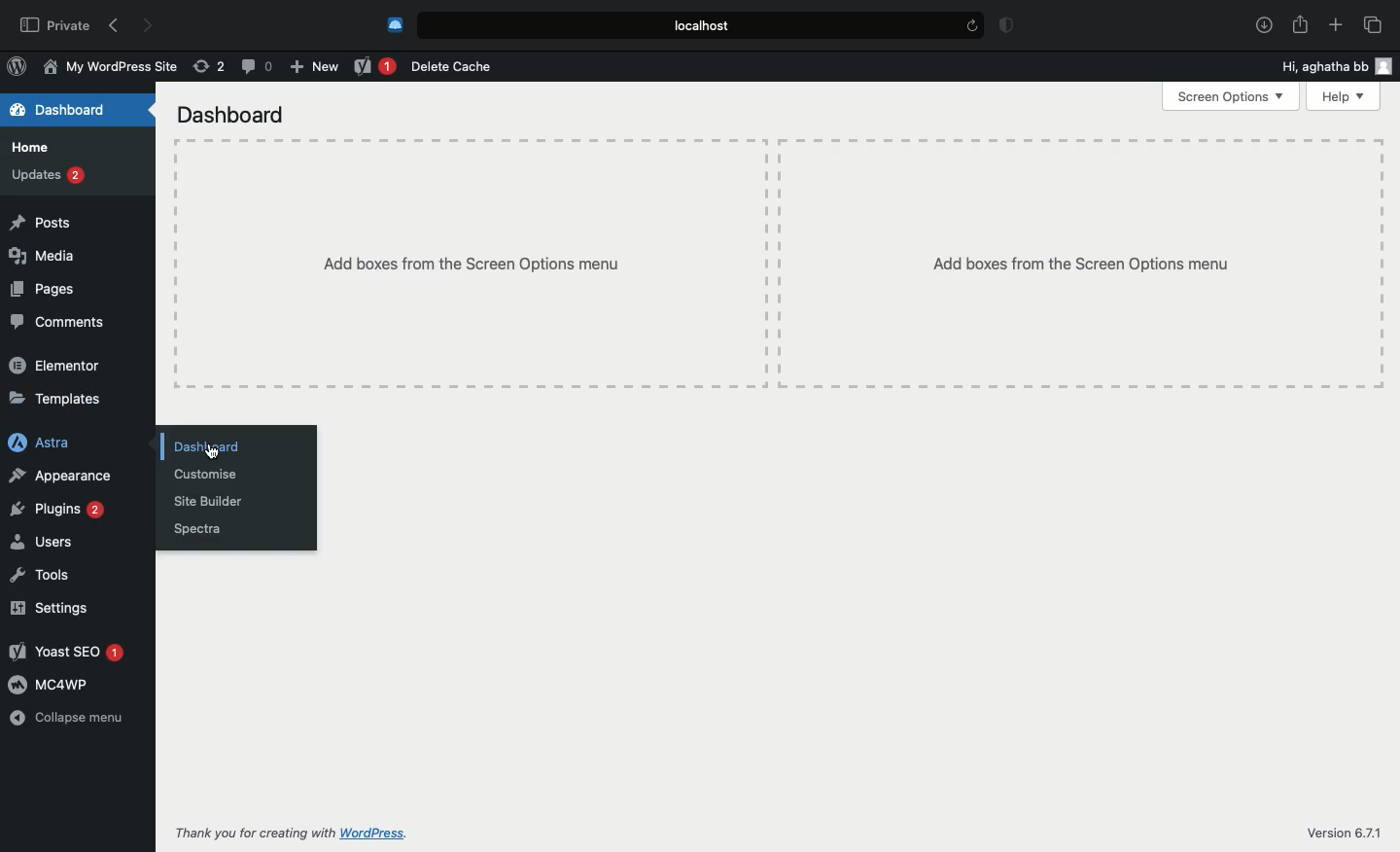 The height and width of the screenshot is (852, 1400). Describe the element at coordinates (1301, 25) in the screenshot. I see `Share` at that location.